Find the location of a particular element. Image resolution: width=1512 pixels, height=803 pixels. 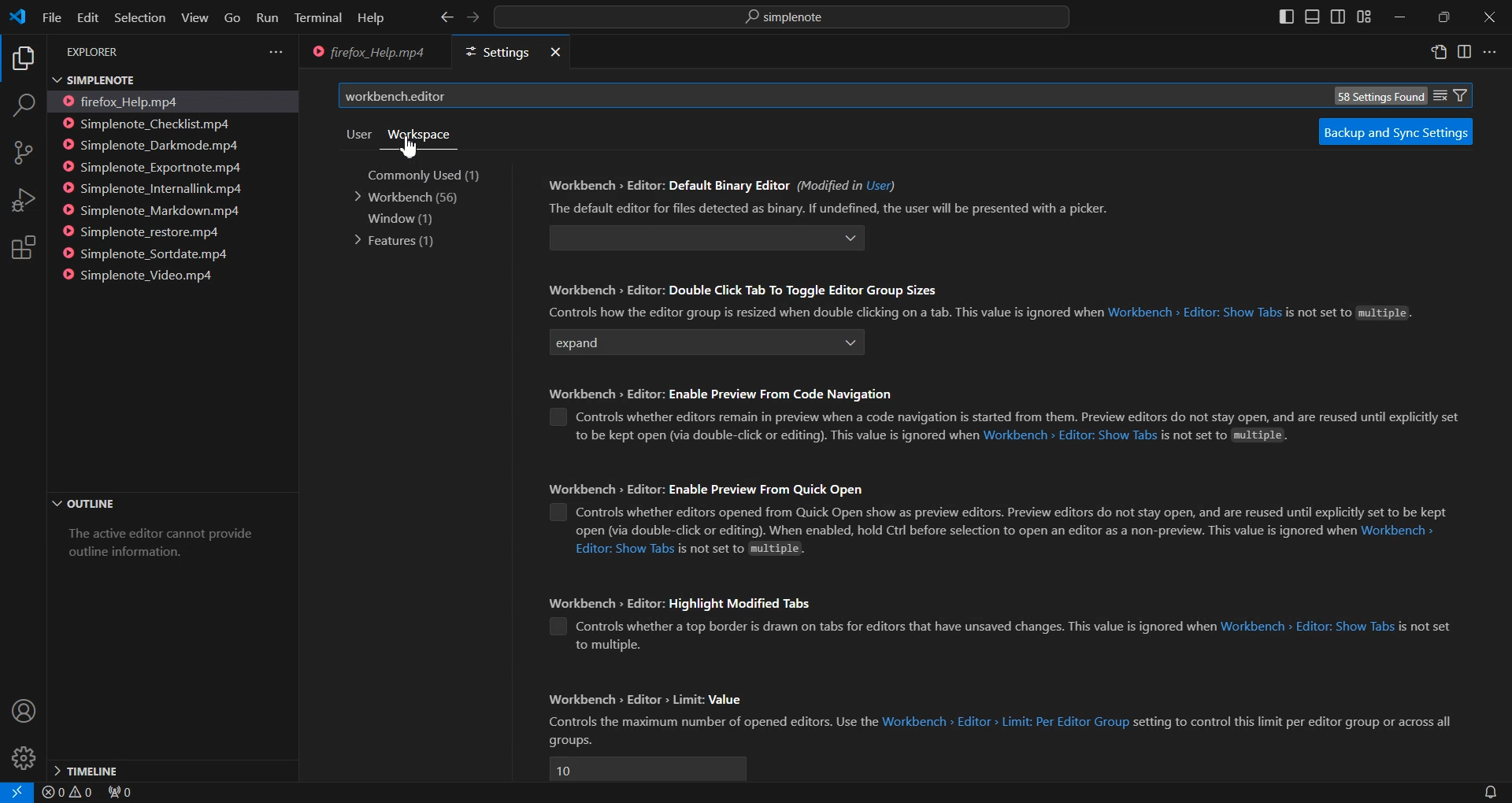

Minimize is located at coordinates (1399, 18).